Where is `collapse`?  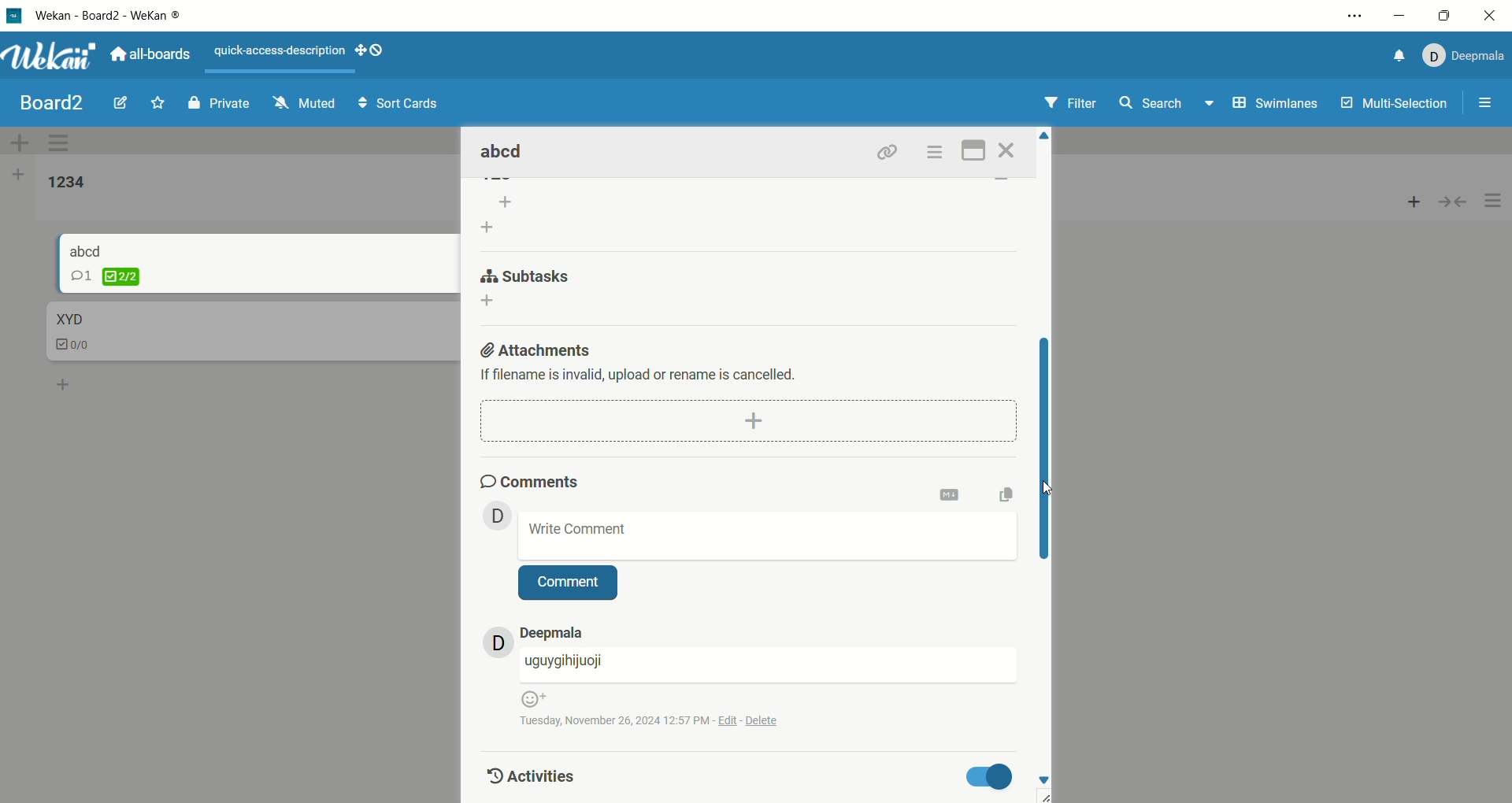
collapse is located at coordinates (1453, 202).